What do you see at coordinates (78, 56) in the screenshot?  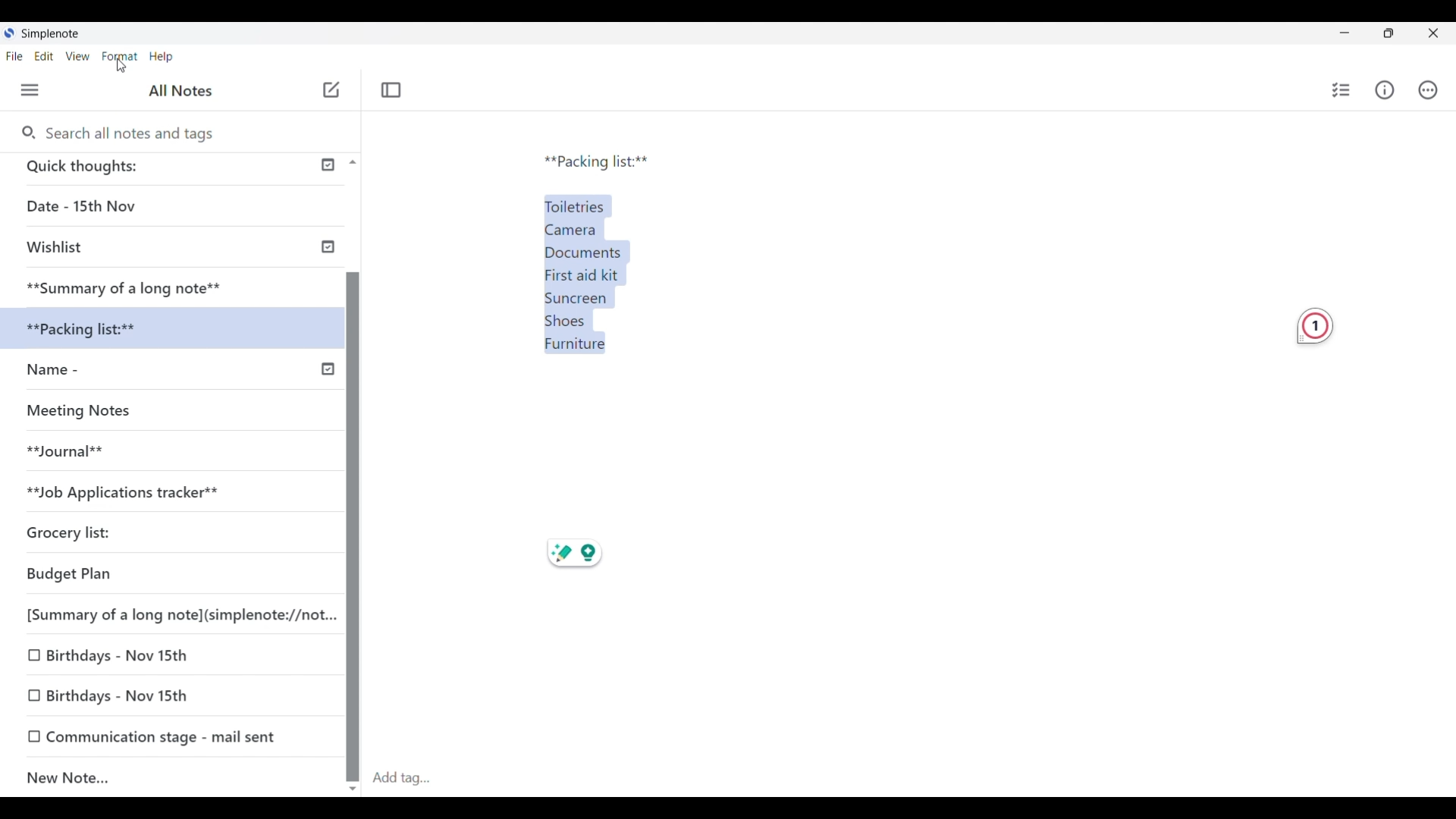 I see `View menu` at bounding box center [78, 56].